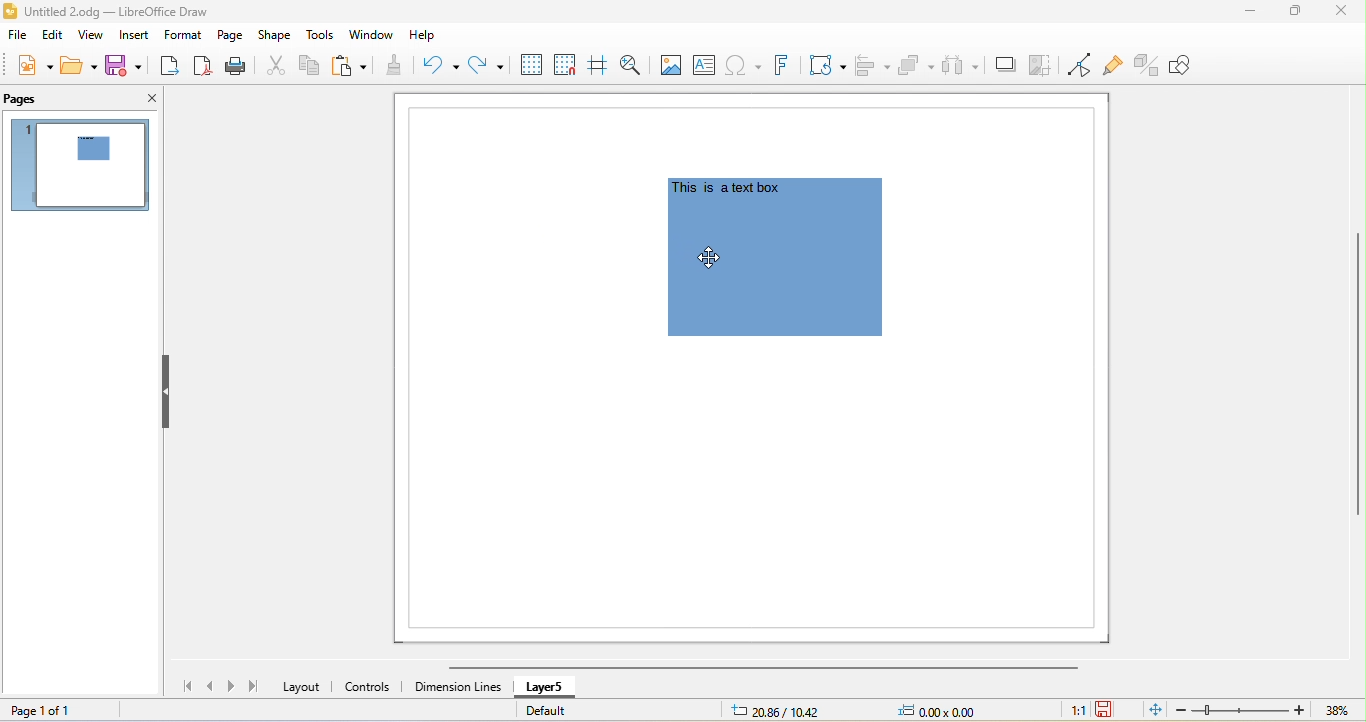 The image size is (1366, 722). I want to click on click to save the document, so click(1104, 710).